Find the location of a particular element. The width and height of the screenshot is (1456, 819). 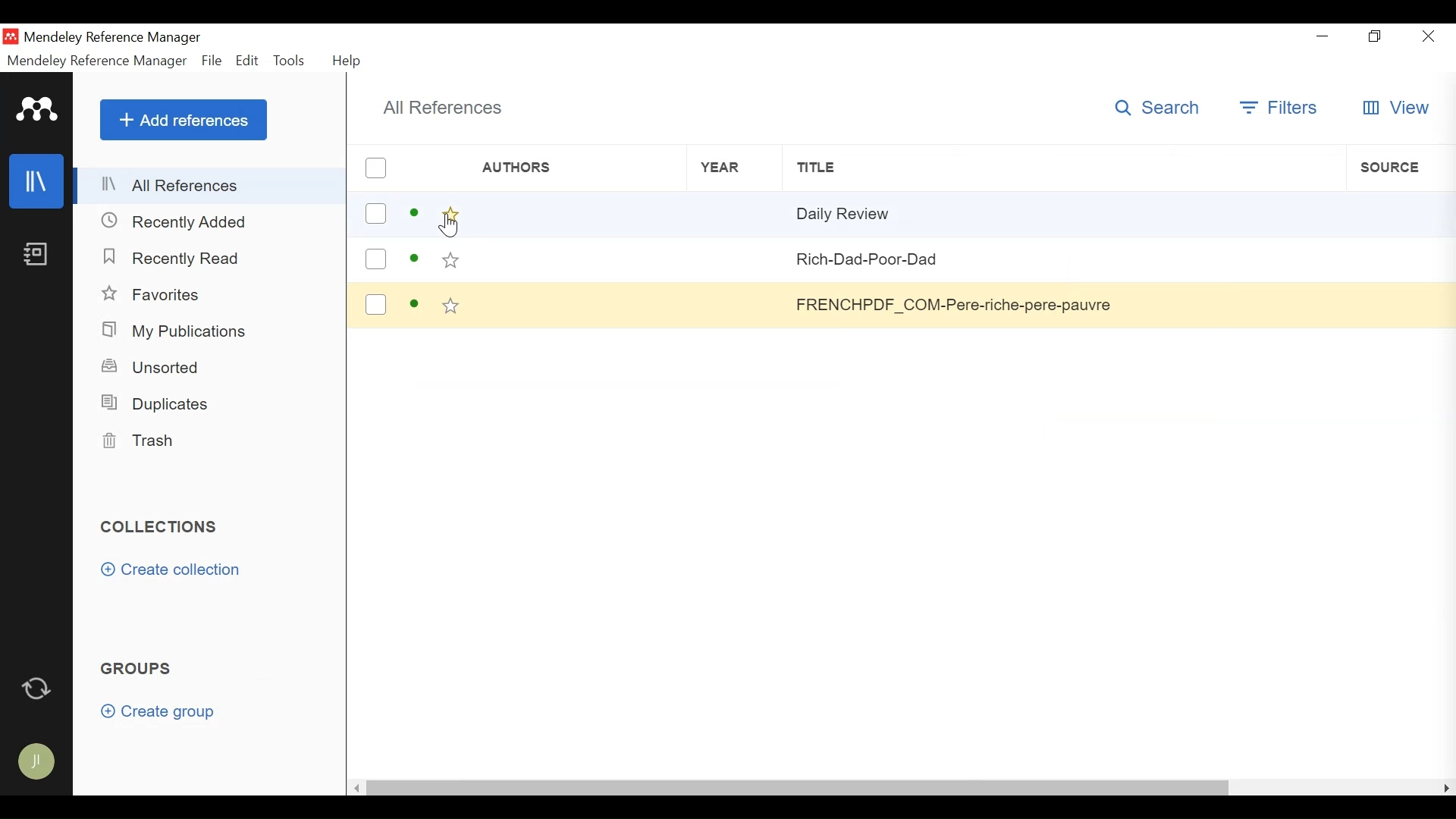

Library is located at coordinates (37, 181).